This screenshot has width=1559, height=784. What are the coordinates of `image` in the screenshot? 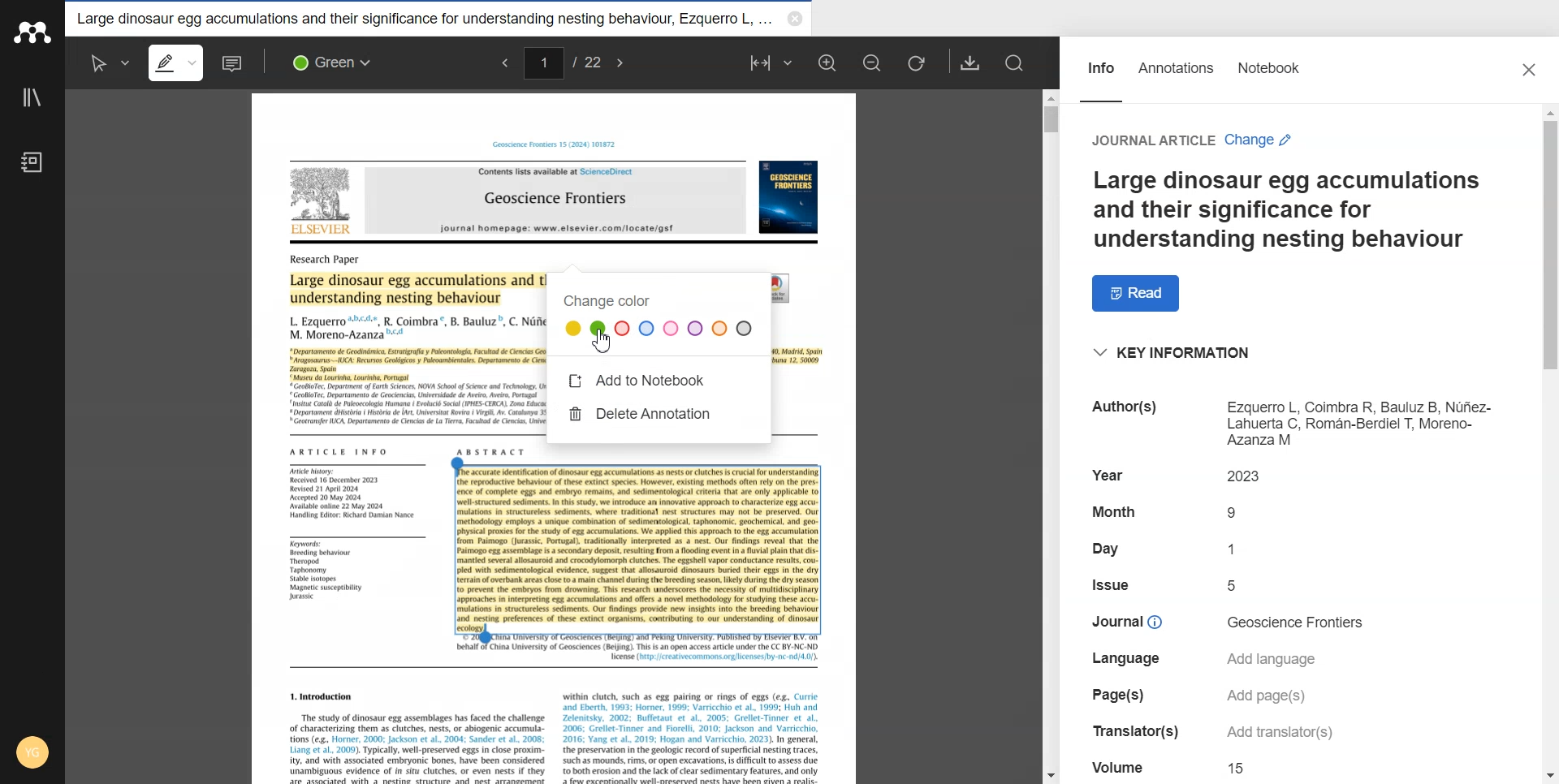 It's located at (789, 196).